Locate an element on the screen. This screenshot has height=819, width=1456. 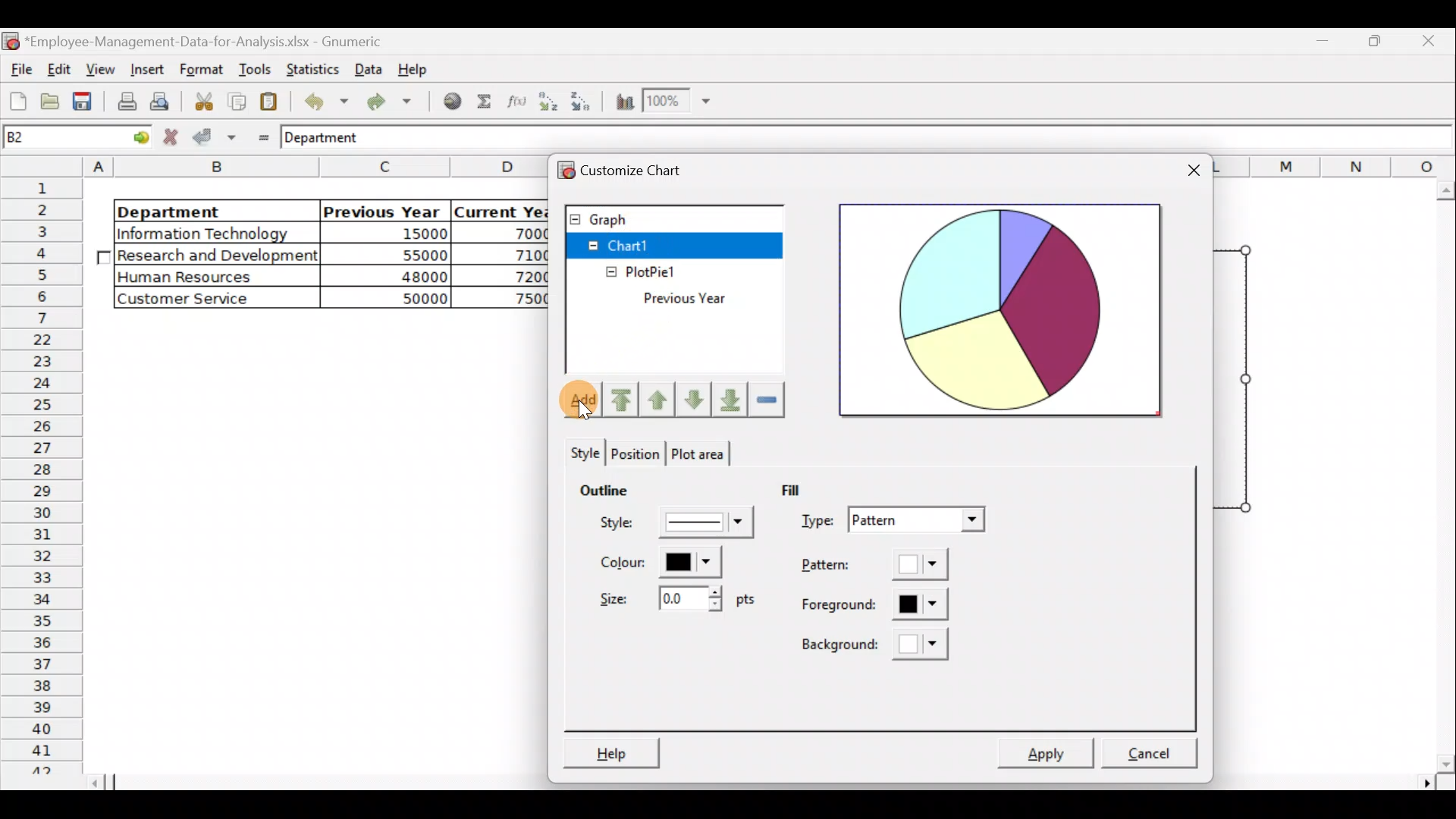
|Information Technology is located at coordinates (215, 233).